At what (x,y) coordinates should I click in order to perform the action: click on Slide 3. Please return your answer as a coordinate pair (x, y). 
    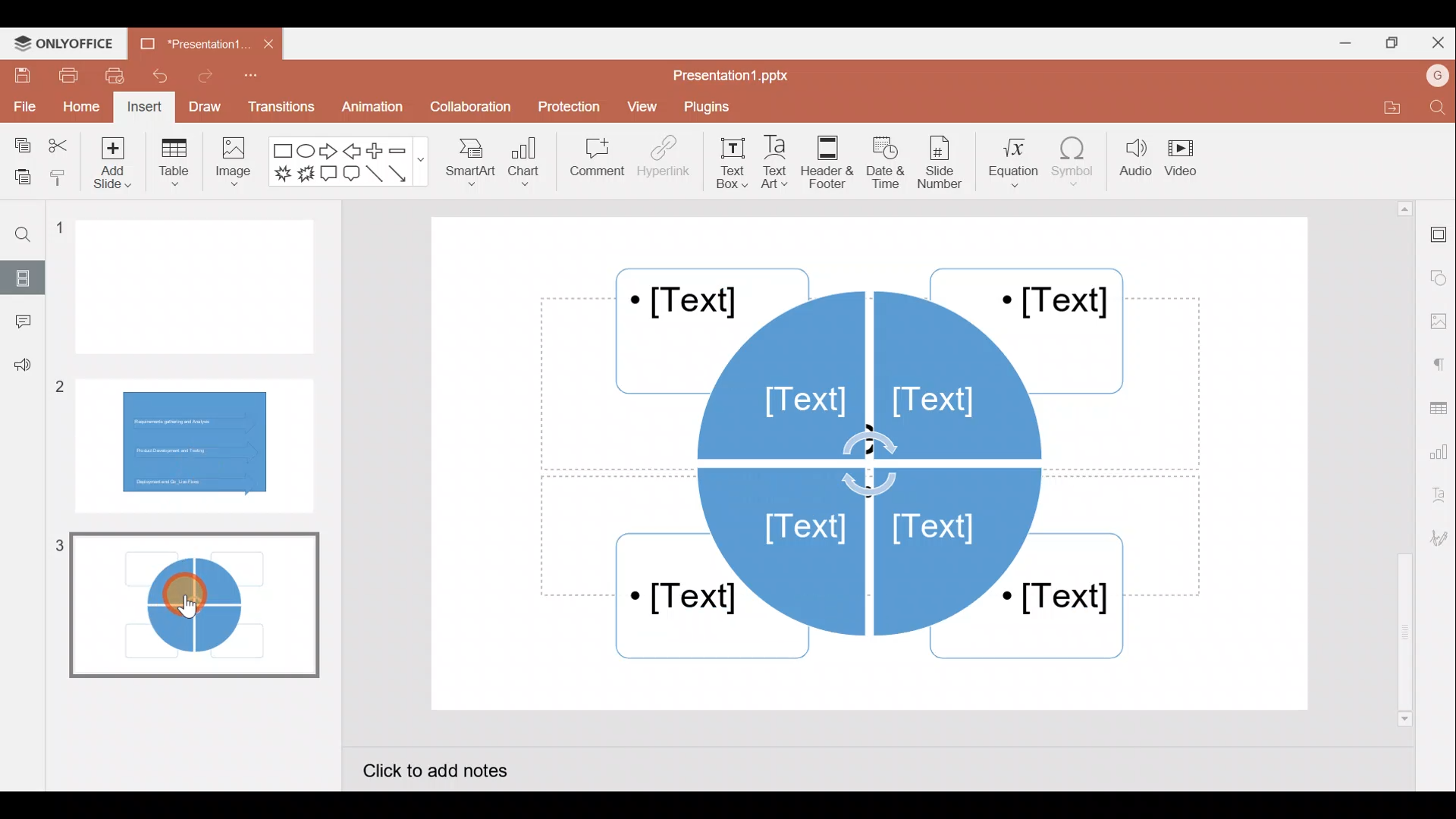
    Looking at the image, I should click on (190, 604).